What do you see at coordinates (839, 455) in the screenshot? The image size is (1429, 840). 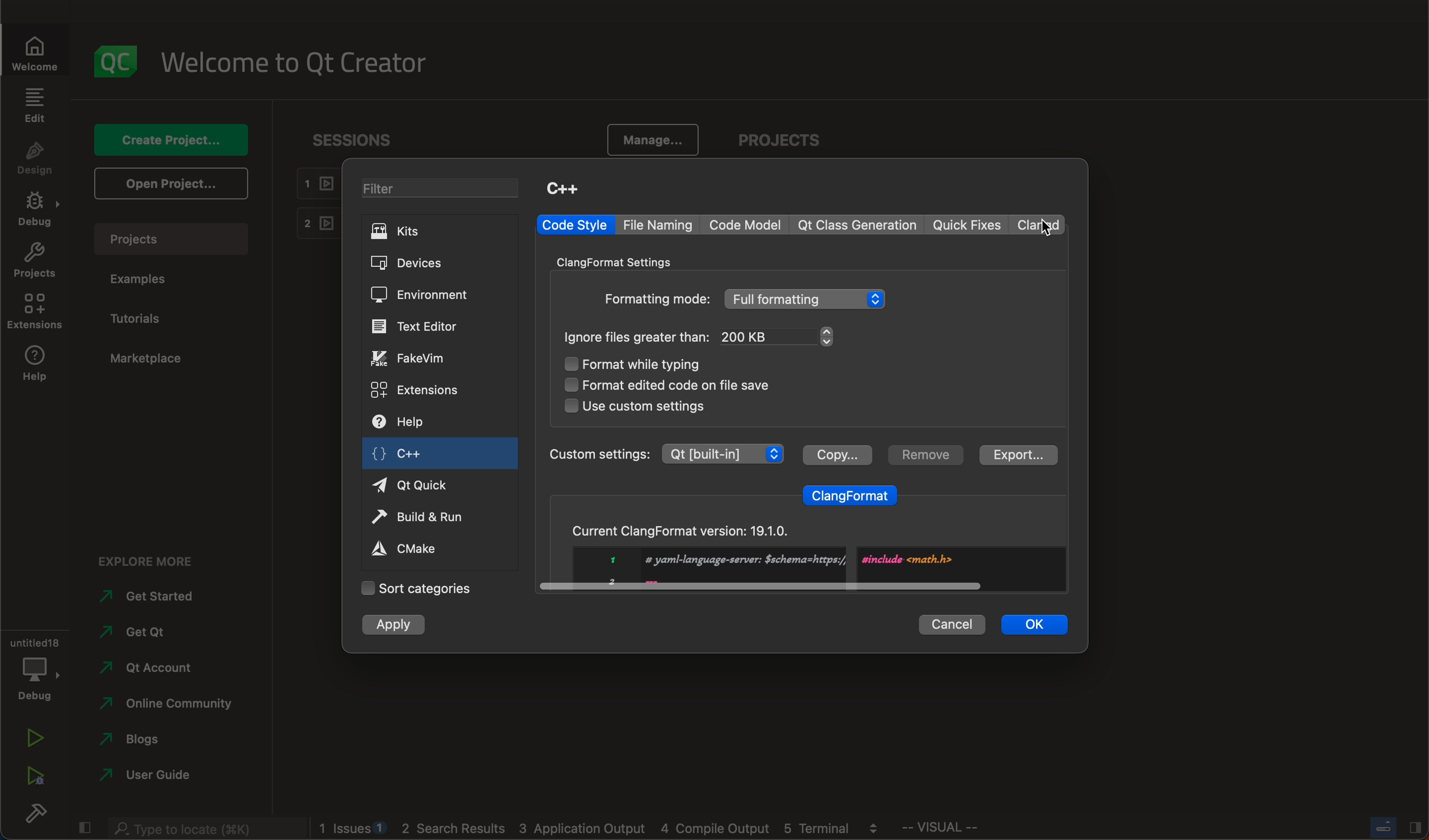 I see `copy` at bounding box center [839, 455].